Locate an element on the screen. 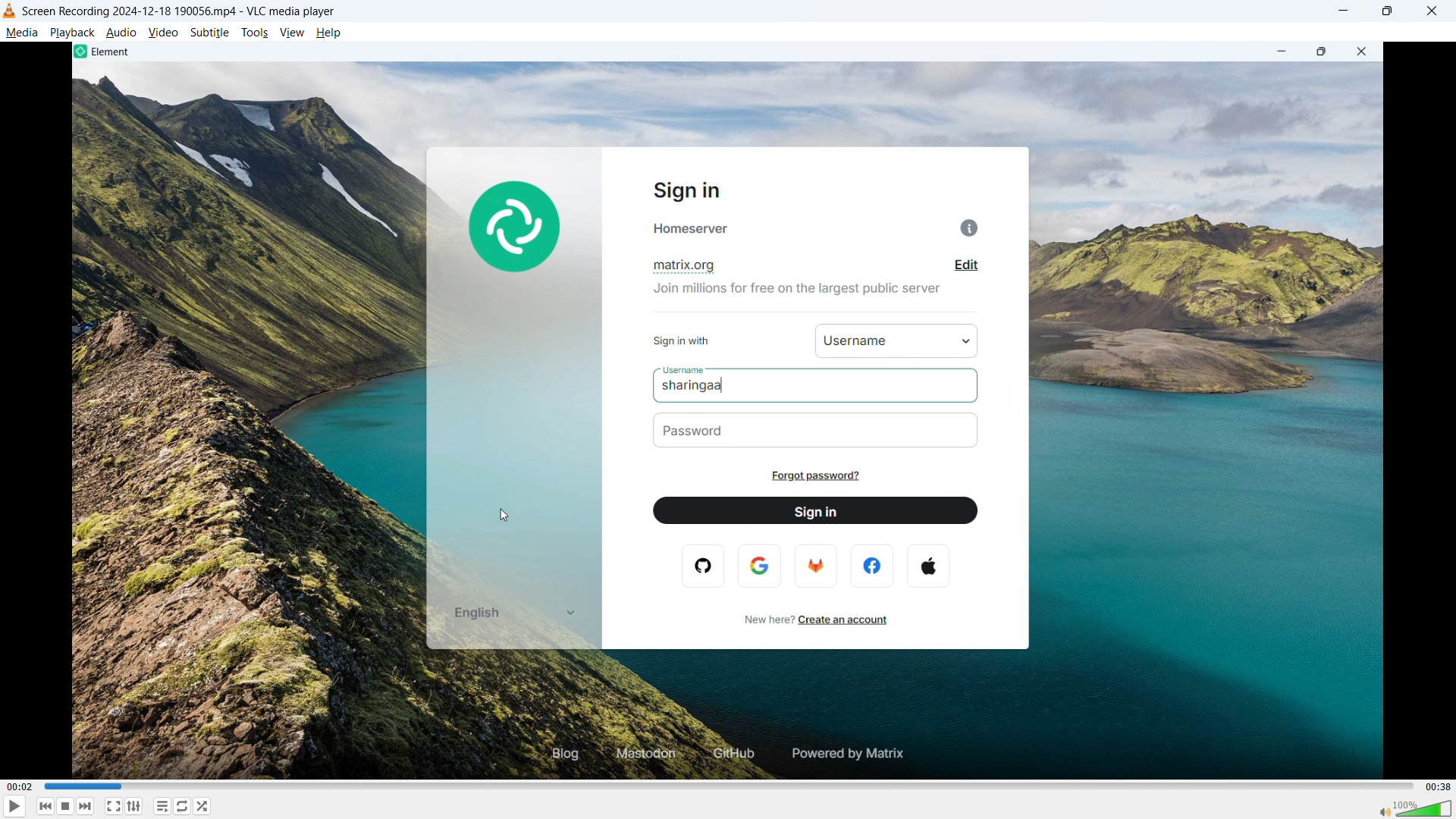 The width and height of the screenshot is (1456, 819). Edit is located at coordinates (962, 267).